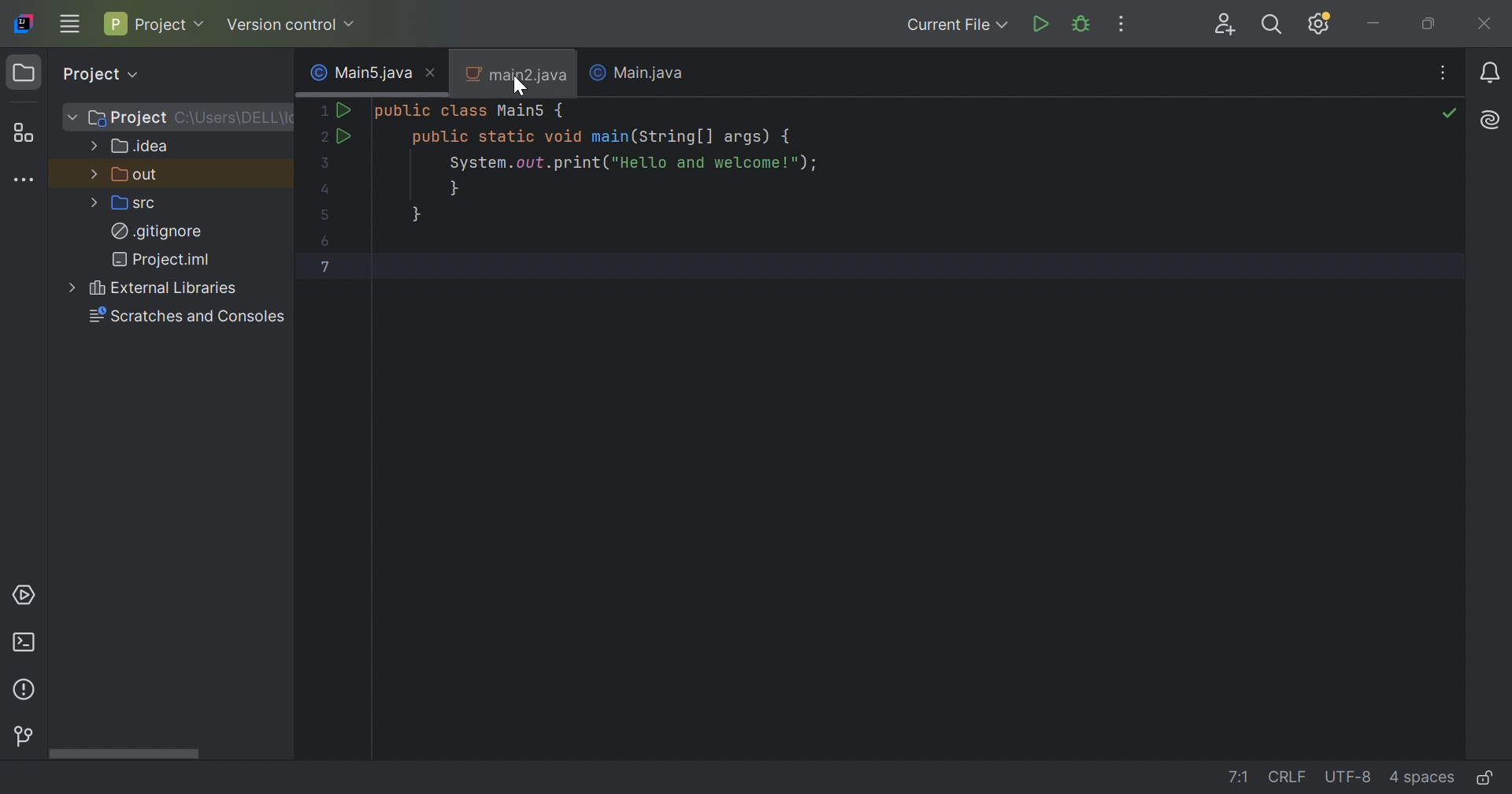 The height and width of the screenshot is (794, 1512). I want to click on Current file, so click(954, 24).